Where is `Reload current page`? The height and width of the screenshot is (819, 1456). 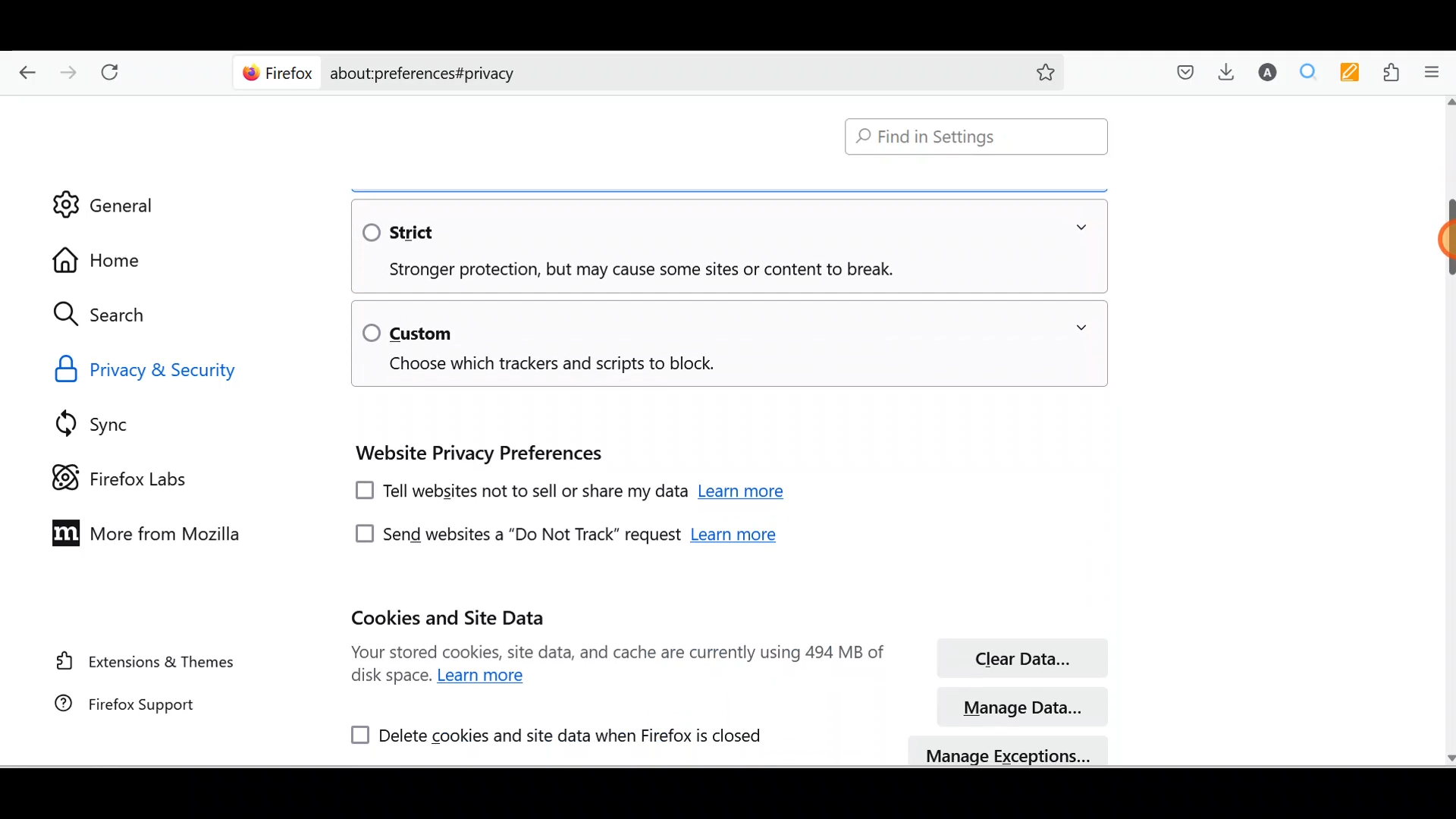
Reload current page is located at coordinates (112, 67).